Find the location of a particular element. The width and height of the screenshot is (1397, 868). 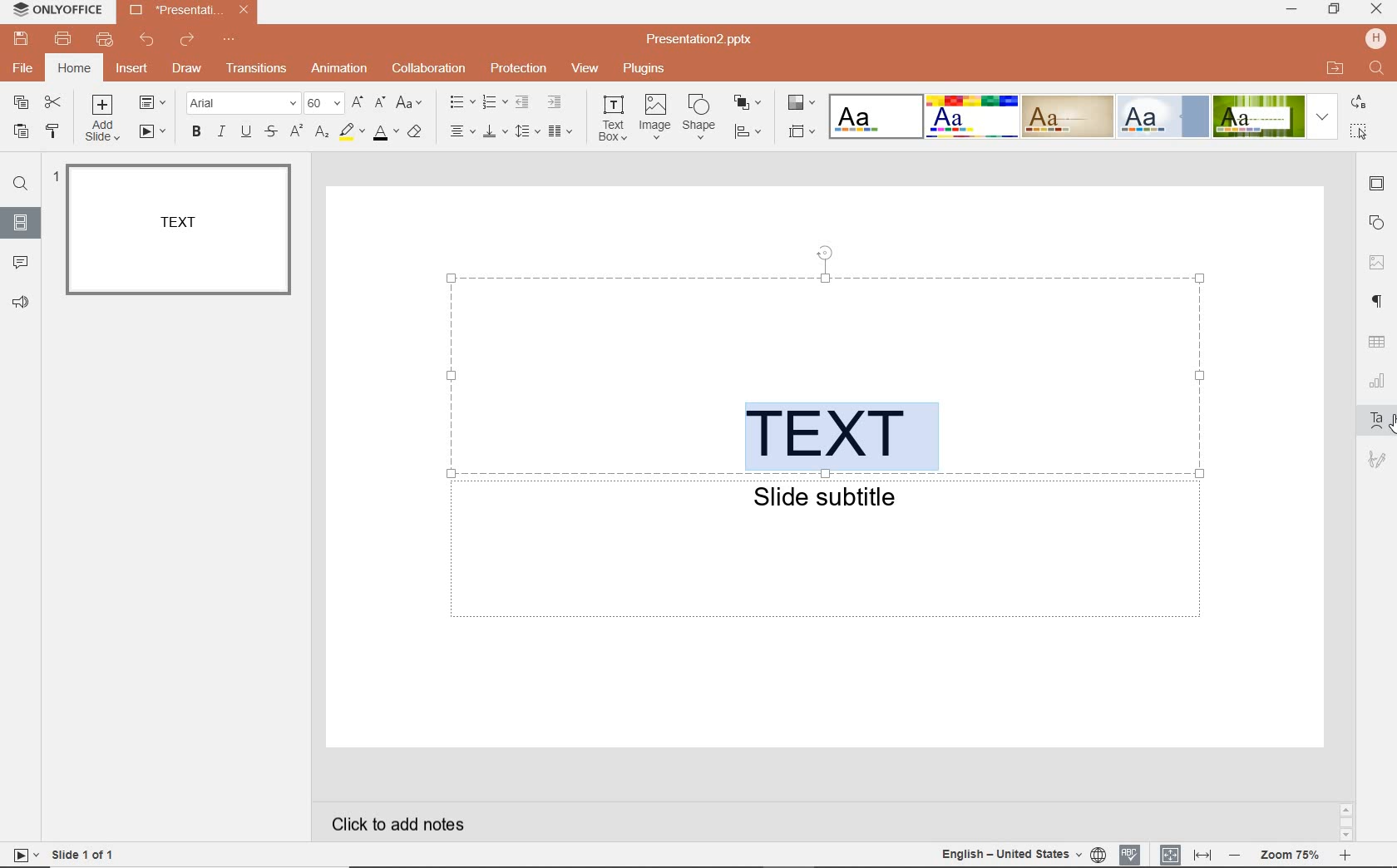

SLIDE1 is located at coordinates (178, 230).